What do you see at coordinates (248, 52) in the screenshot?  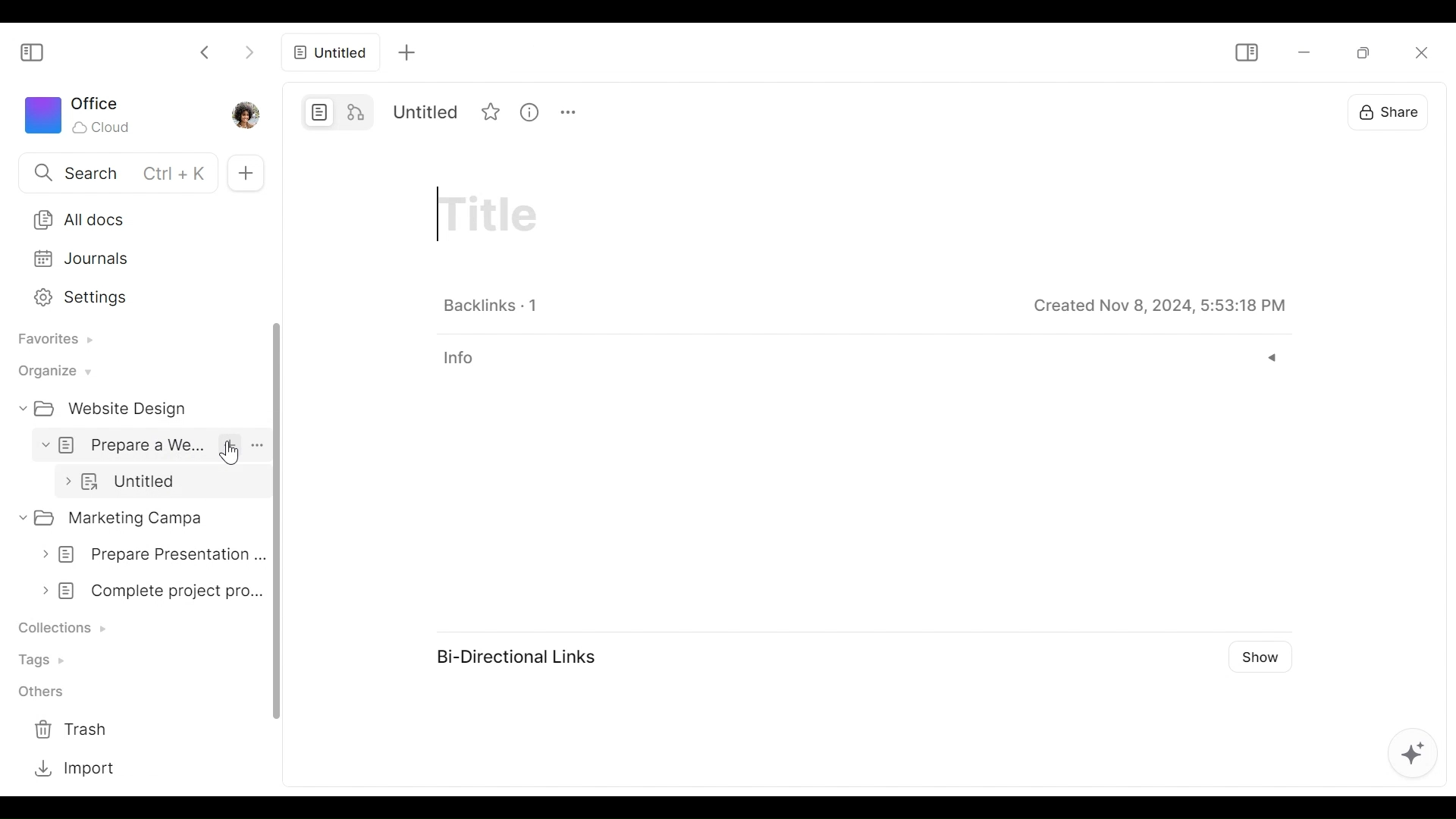 I see `Forward` at bounding box center [248, 52].